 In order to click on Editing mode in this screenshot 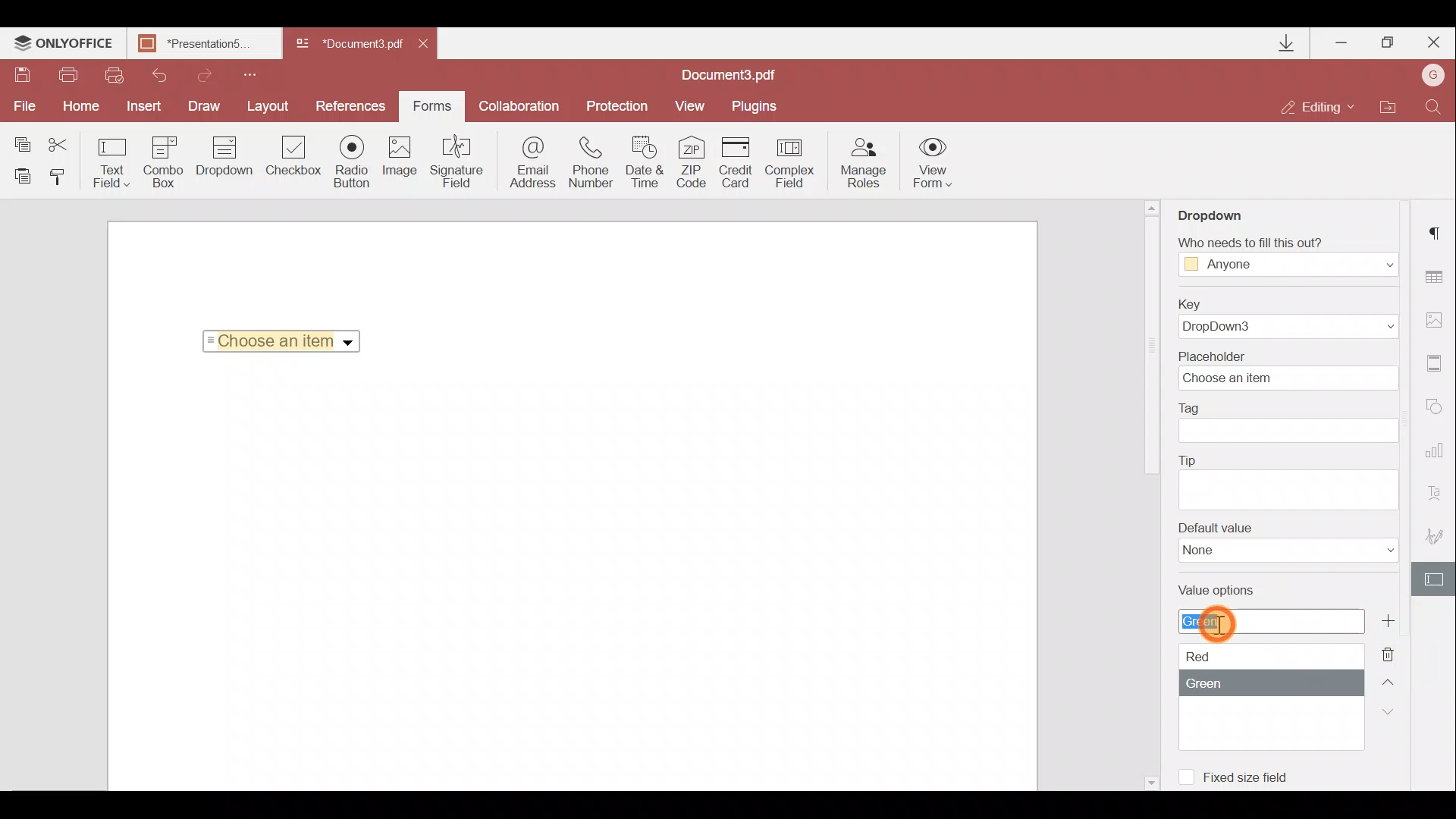, I will do `click(1319, 108)`.